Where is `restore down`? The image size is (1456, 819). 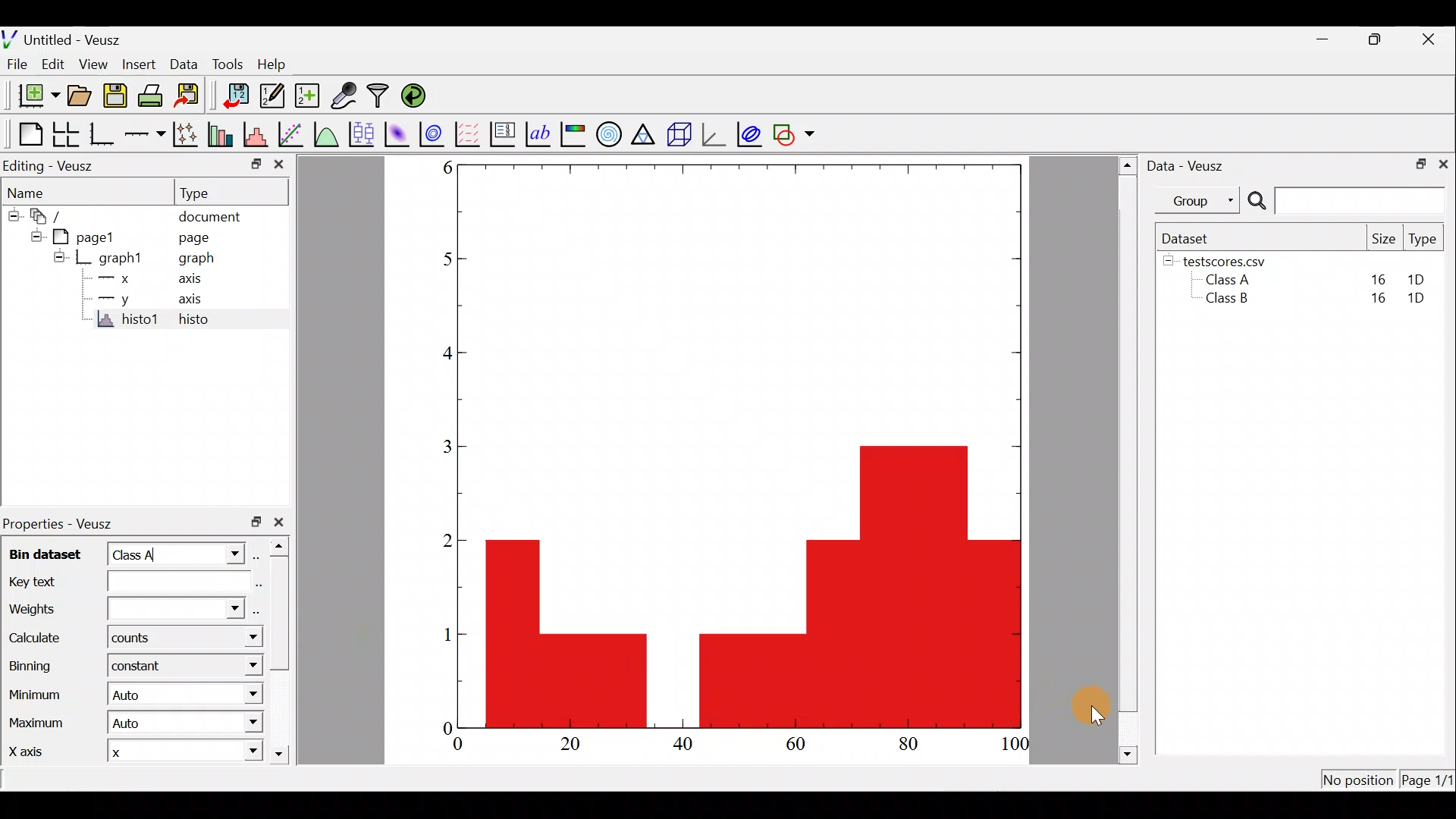
restore down is located at coordinates (249, 162).